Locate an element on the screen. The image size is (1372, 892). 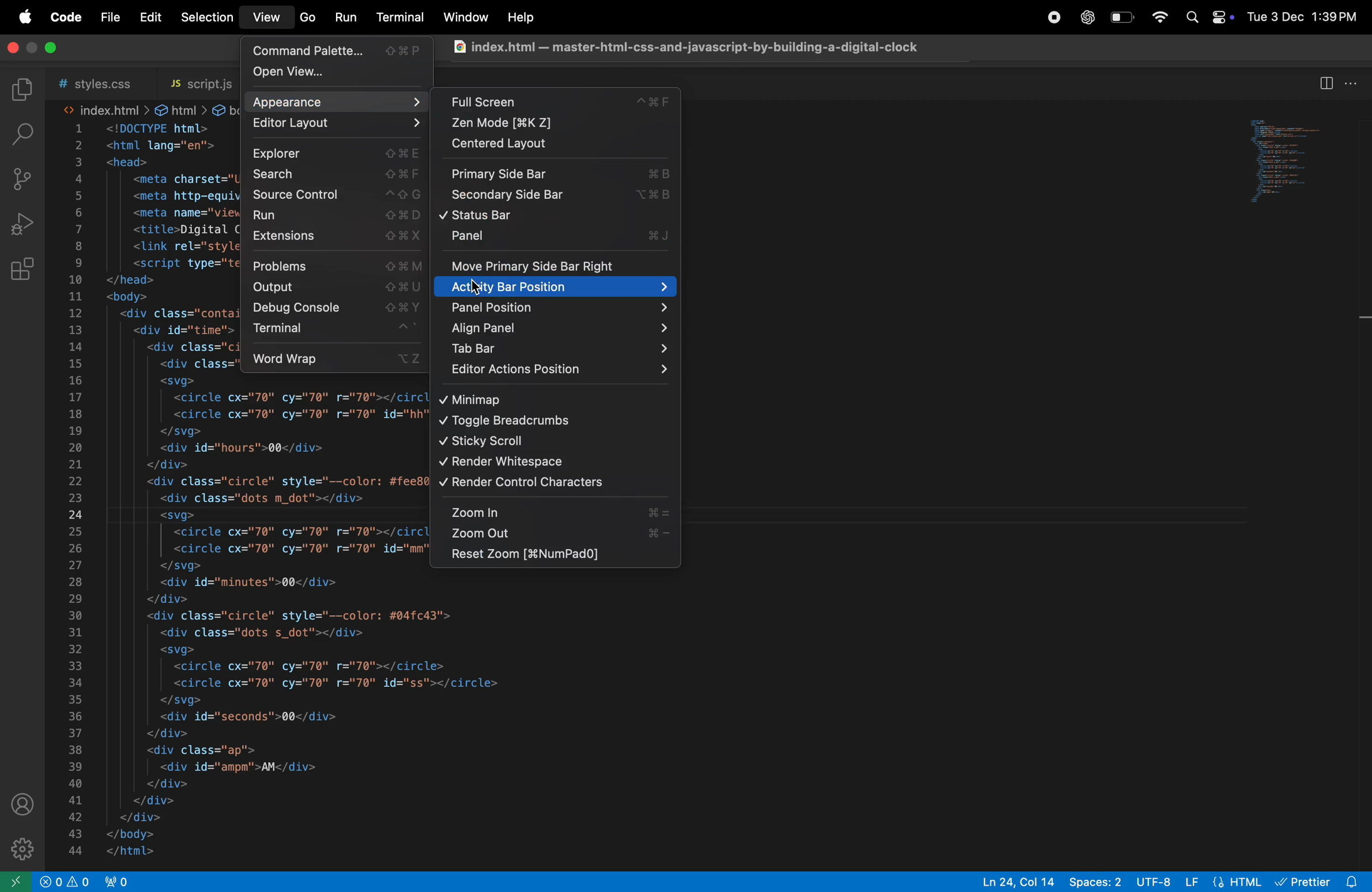
full screen is located at coordinates (559, 103).